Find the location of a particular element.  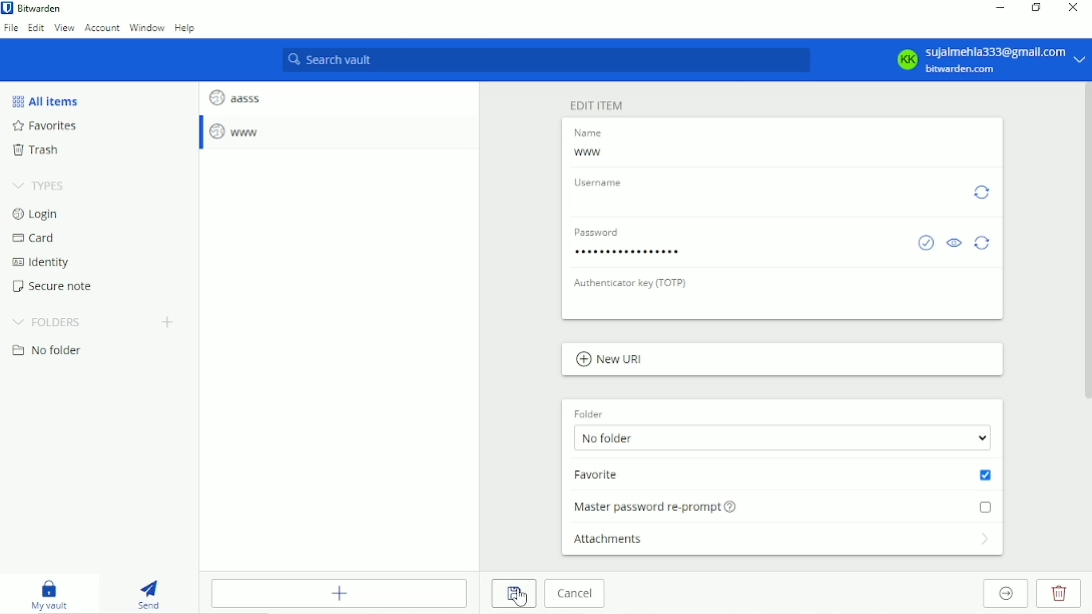

All items is located at coordinates (44, 100).